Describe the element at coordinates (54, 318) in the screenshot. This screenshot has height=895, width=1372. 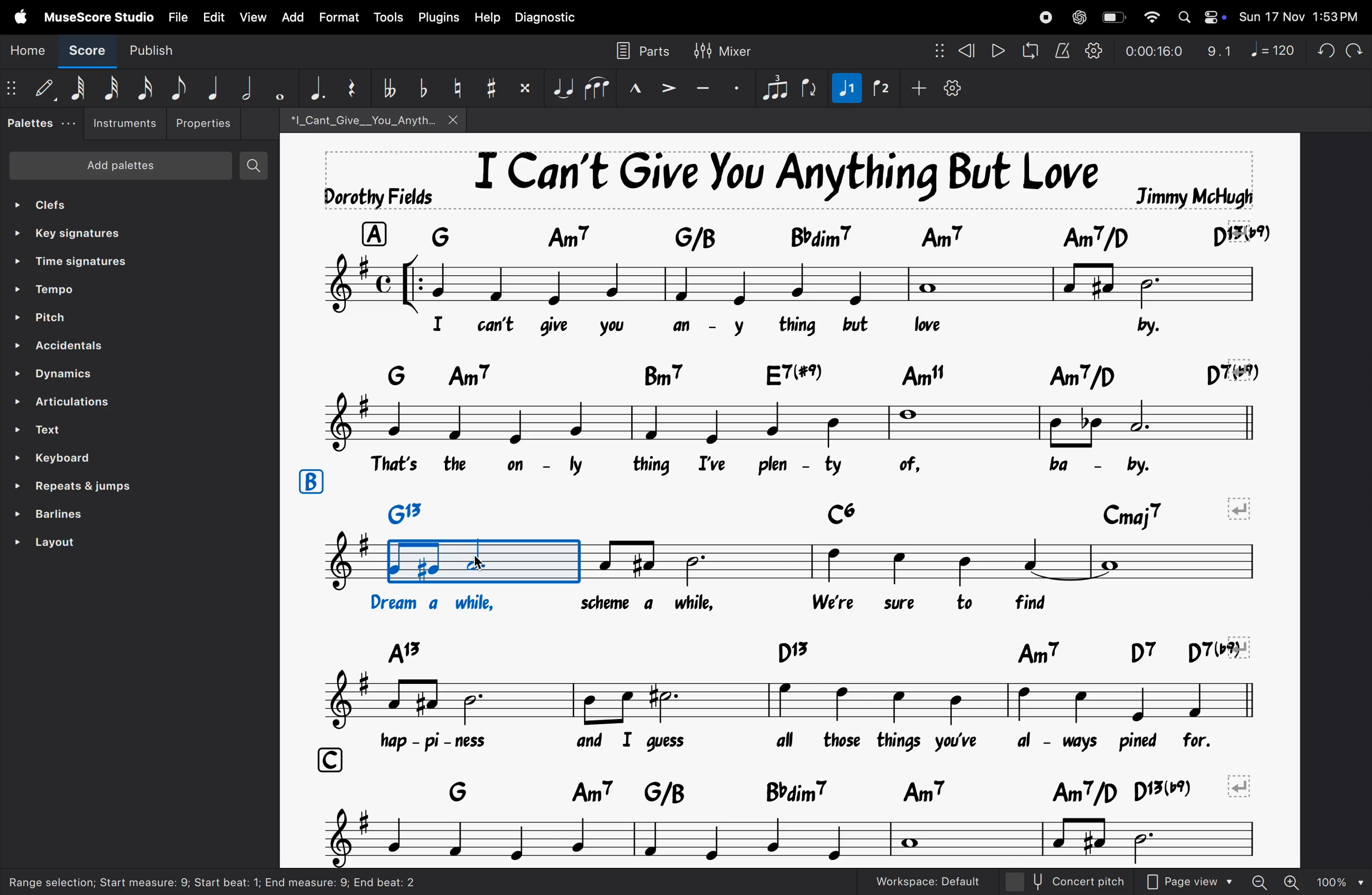
I see `pitch` at that location.